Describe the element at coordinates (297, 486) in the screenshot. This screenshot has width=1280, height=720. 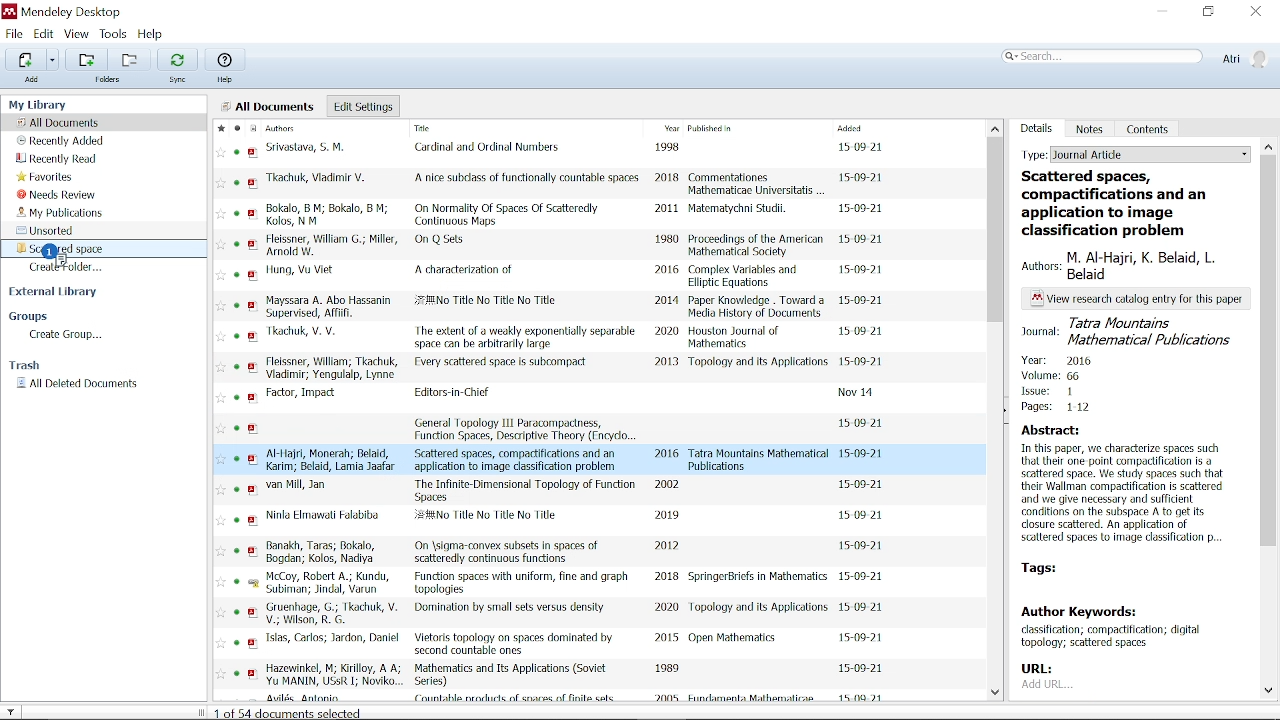
I see `authors` at that location.